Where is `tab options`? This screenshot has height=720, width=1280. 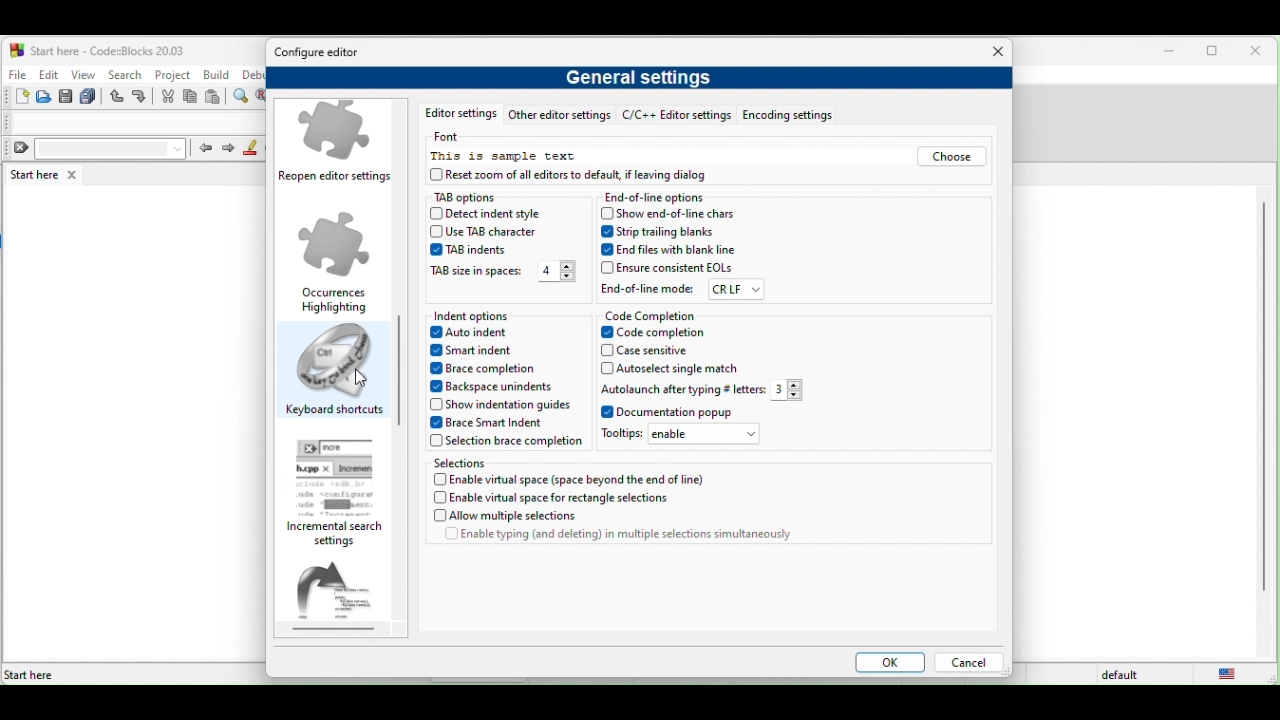 tab options is located at coordinates (484, 197).